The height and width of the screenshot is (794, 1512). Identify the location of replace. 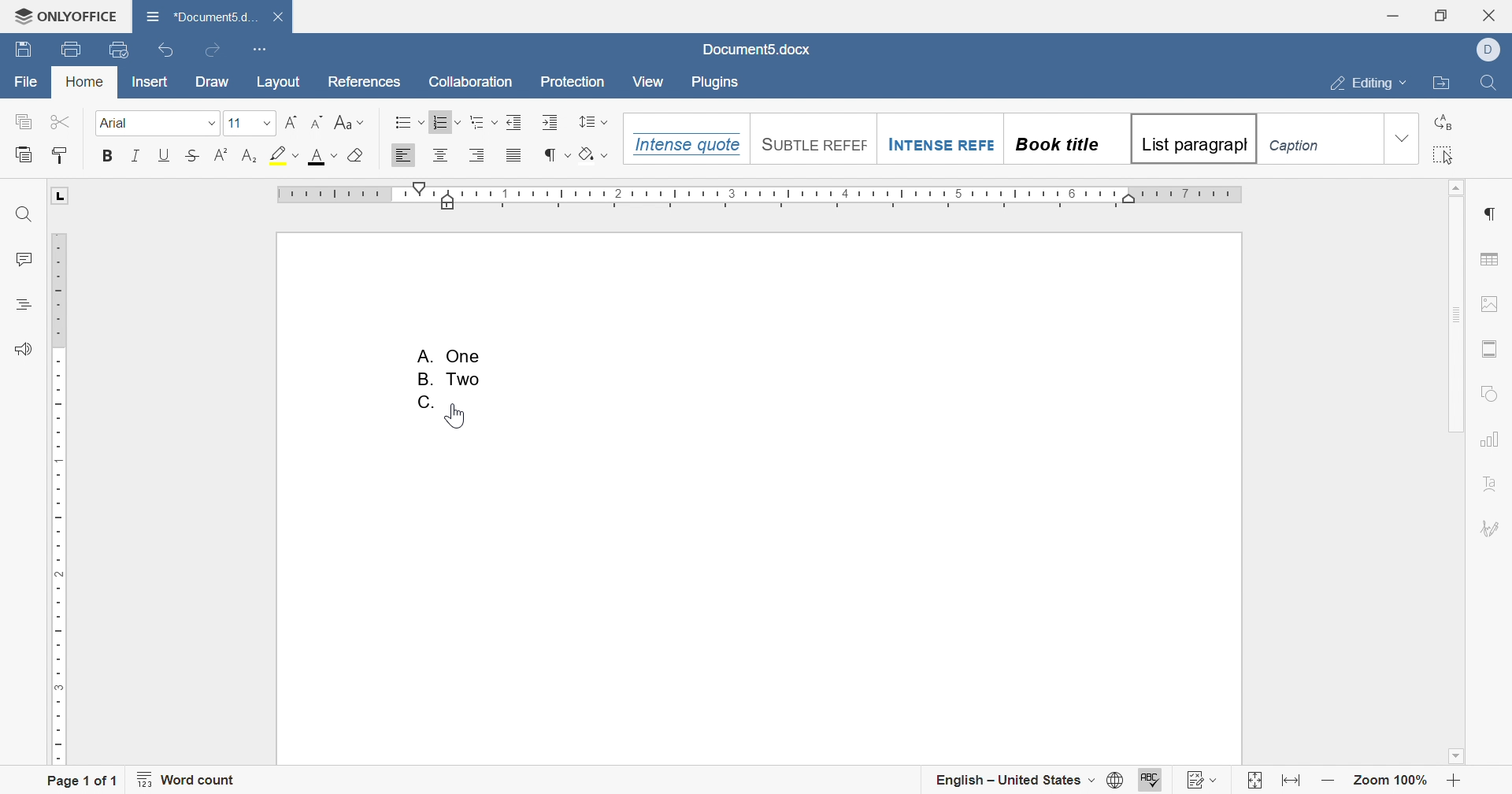
(1444, 122).